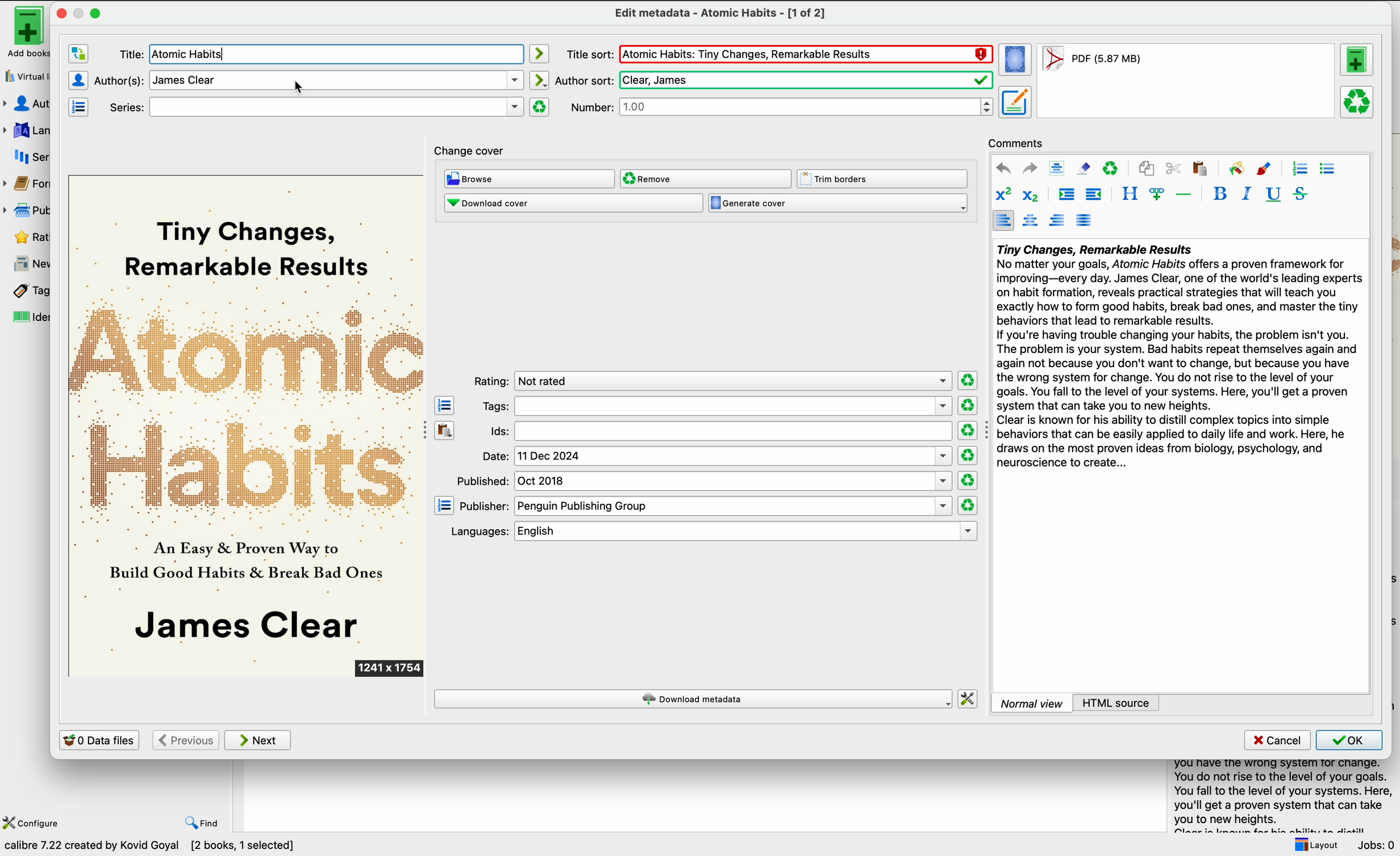  What do you see at coordinates (23, 32) in the screenshot?
I see `add books` at bounding box center [23, 32].